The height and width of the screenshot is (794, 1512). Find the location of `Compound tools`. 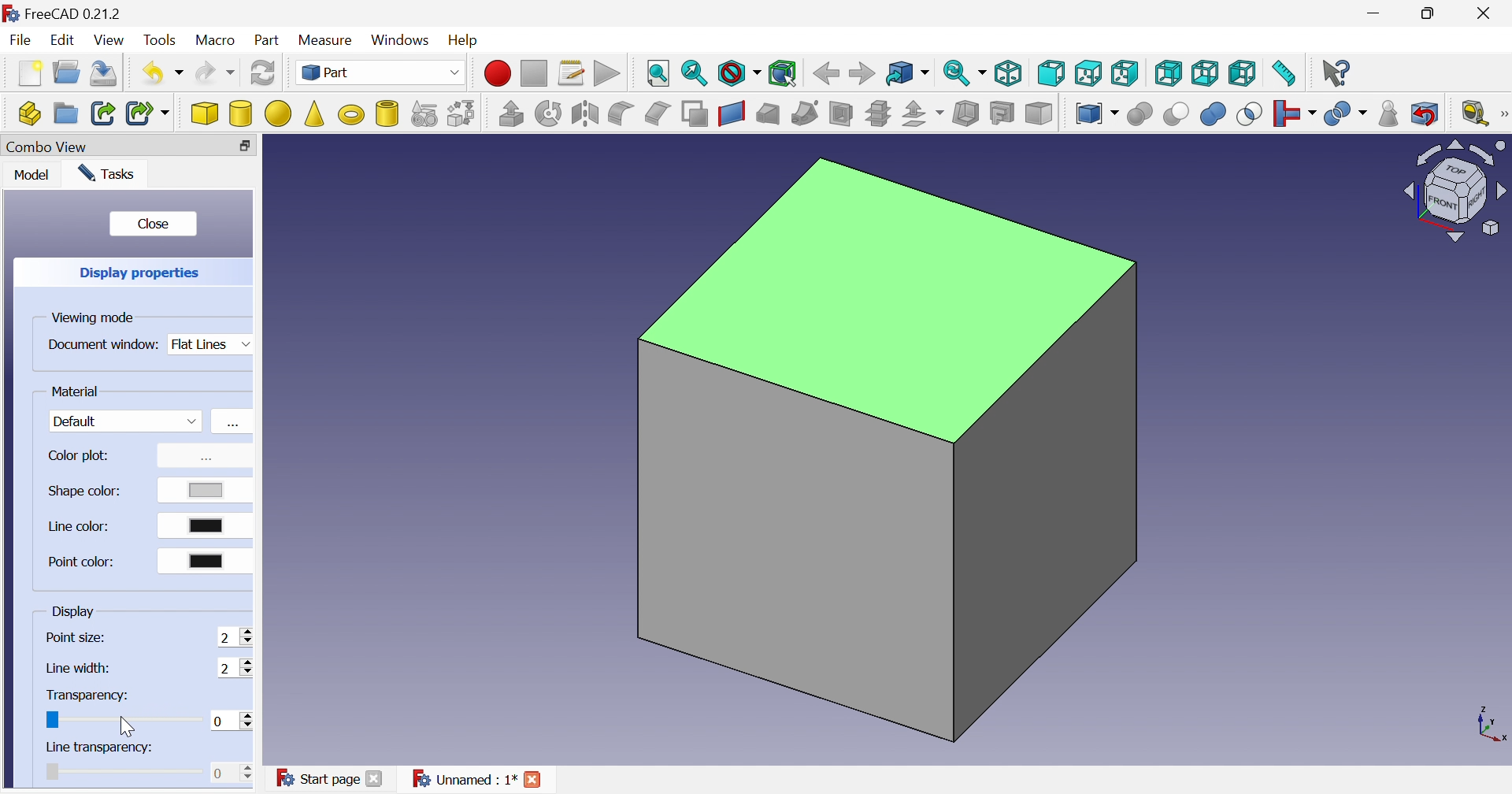

Compound tools is located at coordinates (1099, 114).